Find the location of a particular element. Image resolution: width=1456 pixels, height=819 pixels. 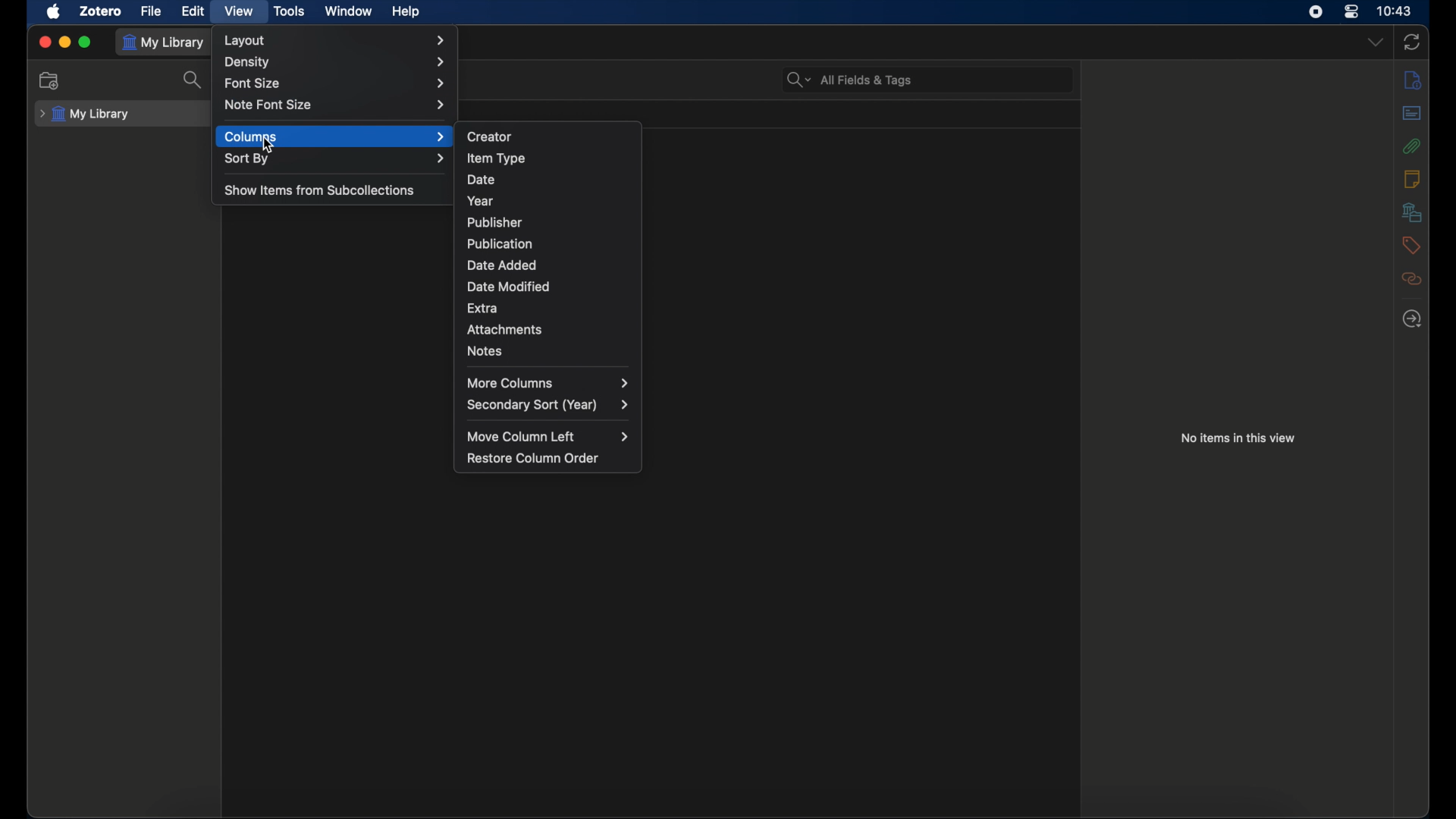

search is located at coordinates (194, 80).